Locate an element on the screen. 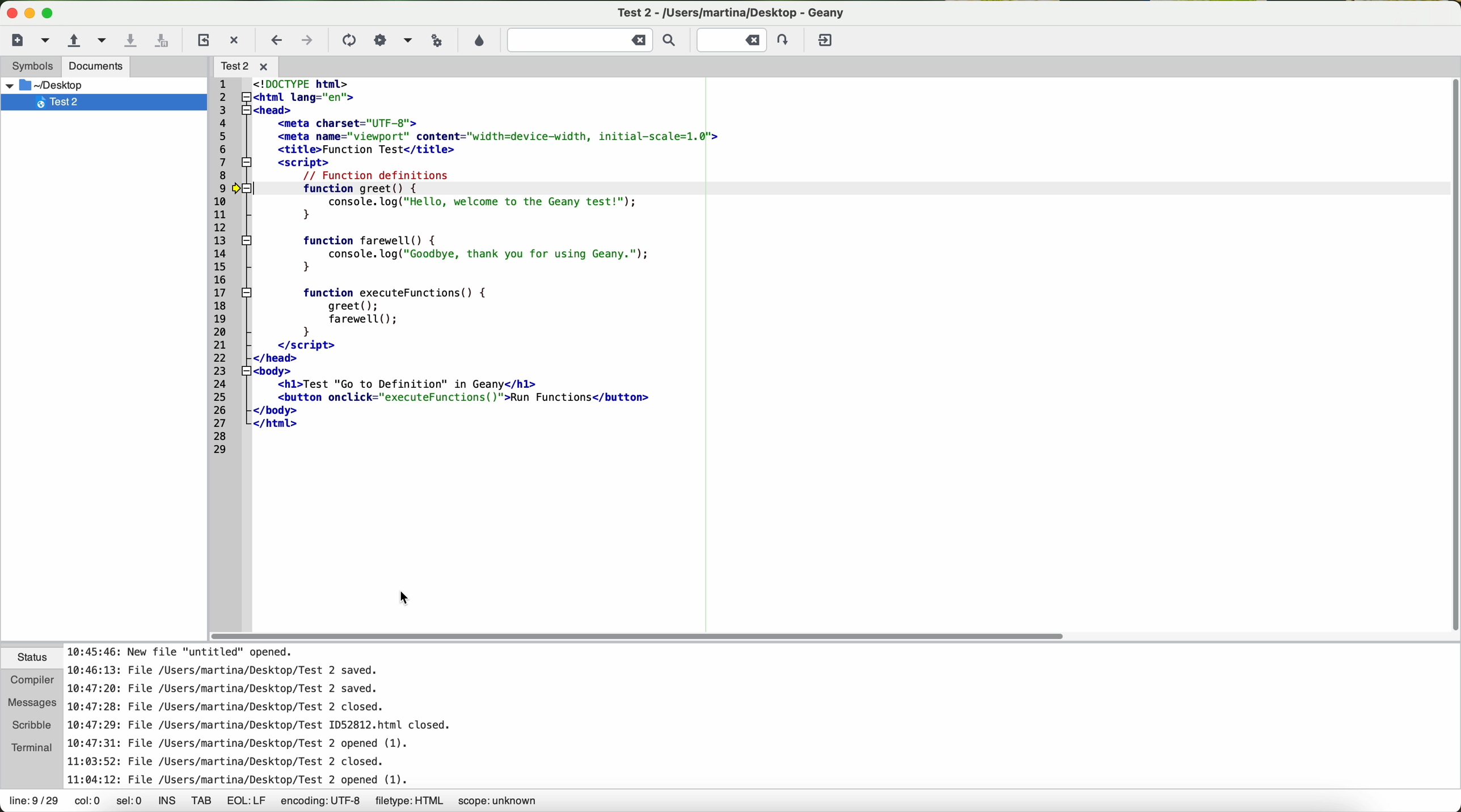 Image resolution: width=1461 pixels, height=812 pixels. find the entered text in the current file is located at coordinates (596, 40).